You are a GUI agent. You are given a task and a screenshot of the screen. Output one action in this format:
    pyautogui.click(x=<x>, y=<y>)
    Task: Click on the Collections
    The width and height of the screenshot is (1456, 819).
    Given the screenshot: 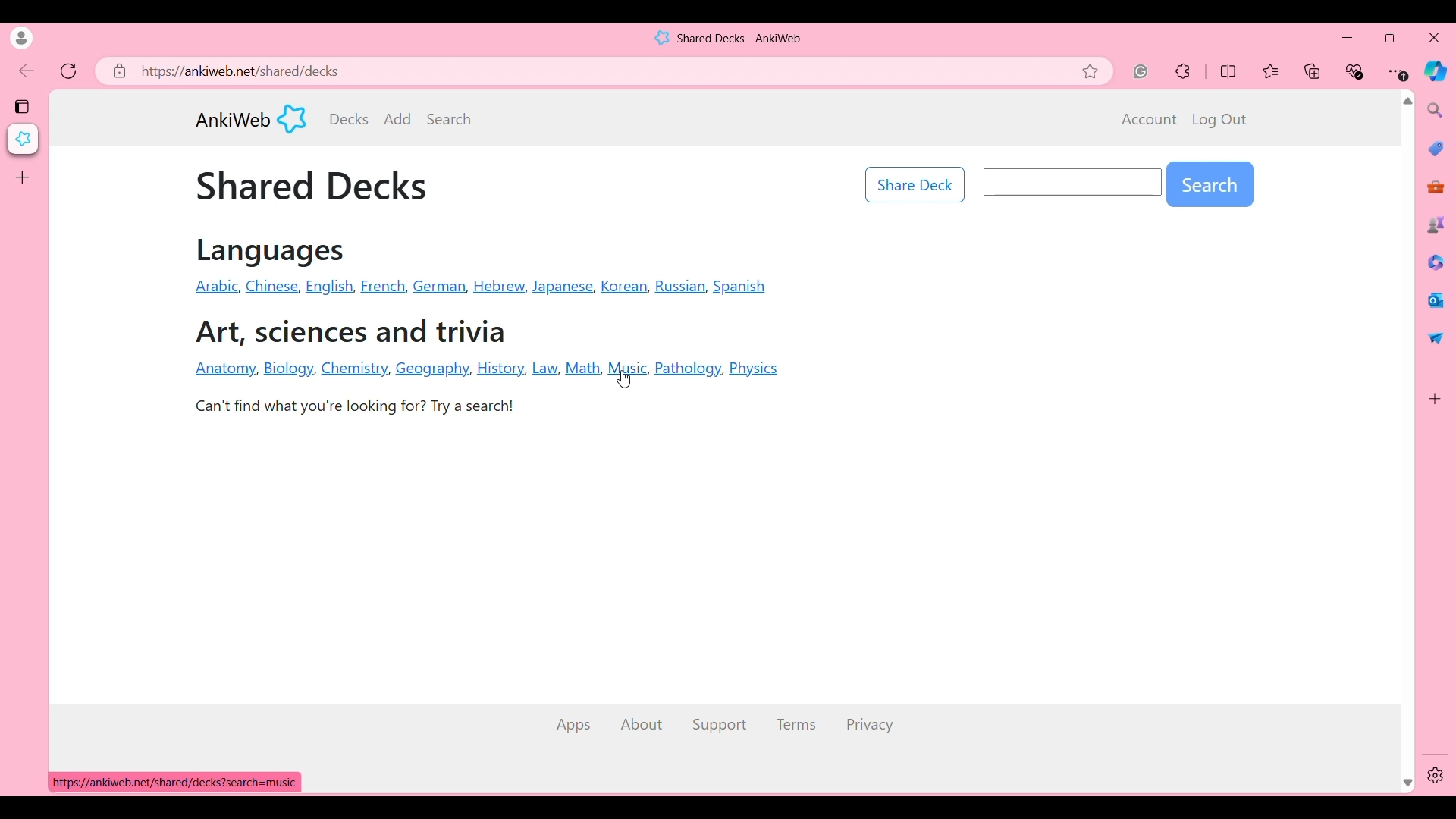 What is the action you would take?
    pyautogui.click(x=1313, y=71)
    